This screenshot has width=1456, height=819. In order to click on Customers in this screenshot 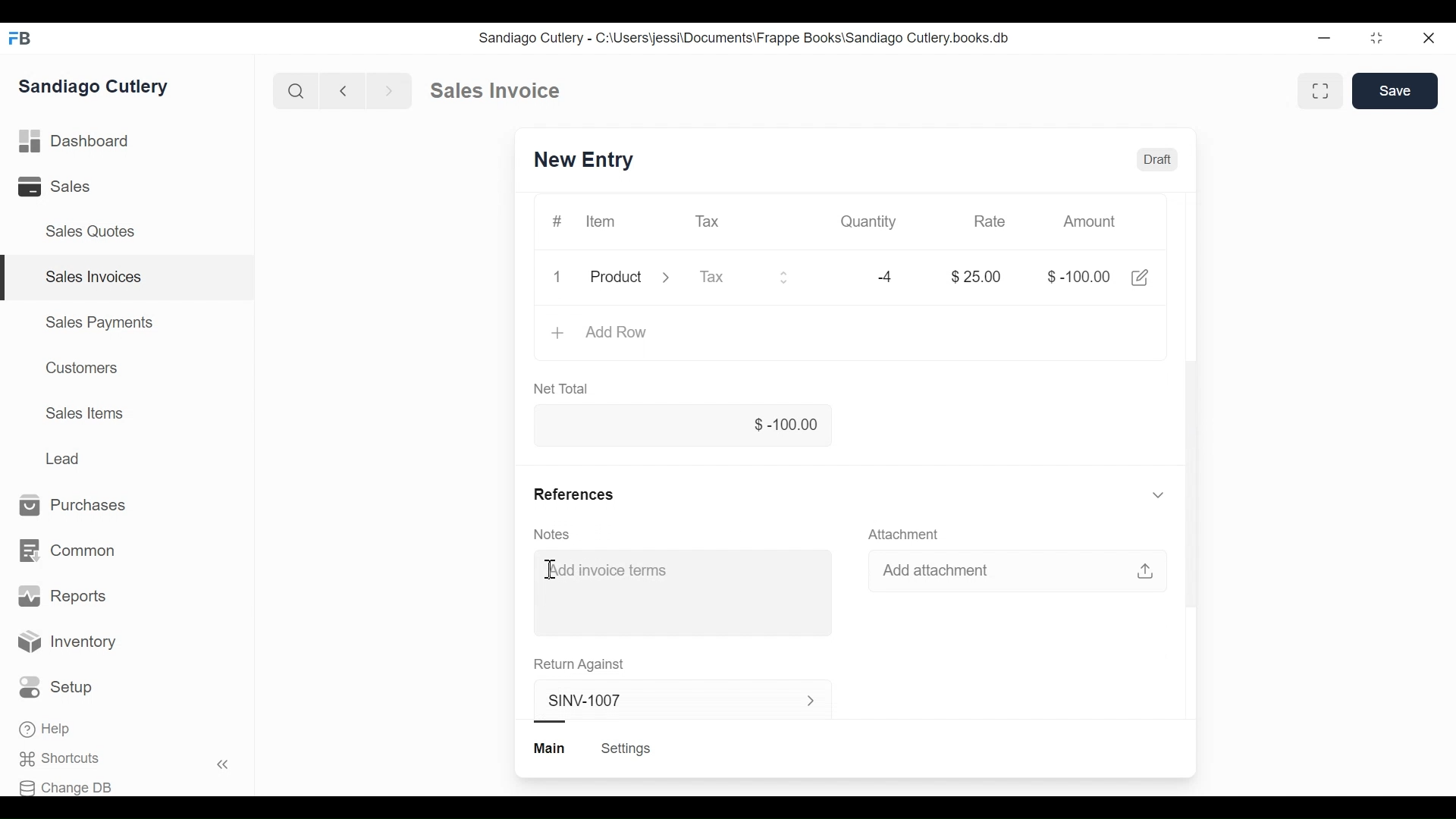, I will do `click(83, 367)`.